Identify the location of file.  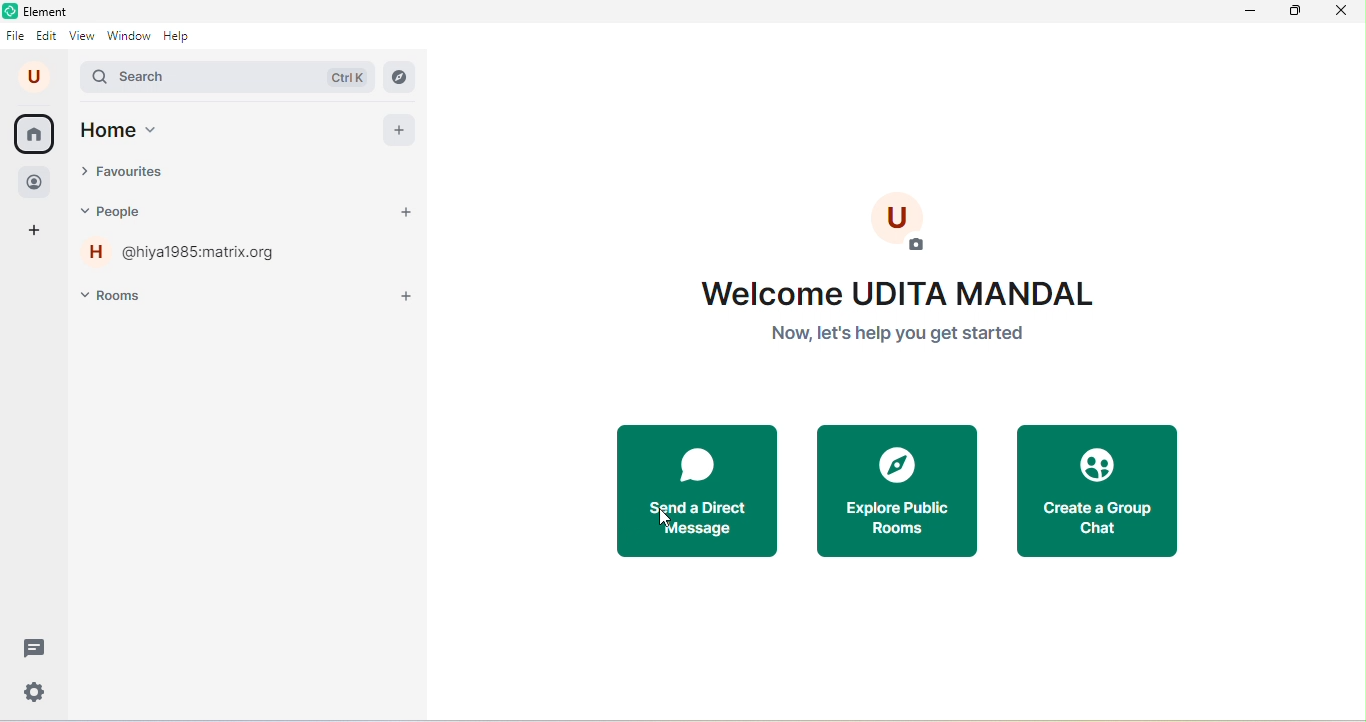
(16, 34).